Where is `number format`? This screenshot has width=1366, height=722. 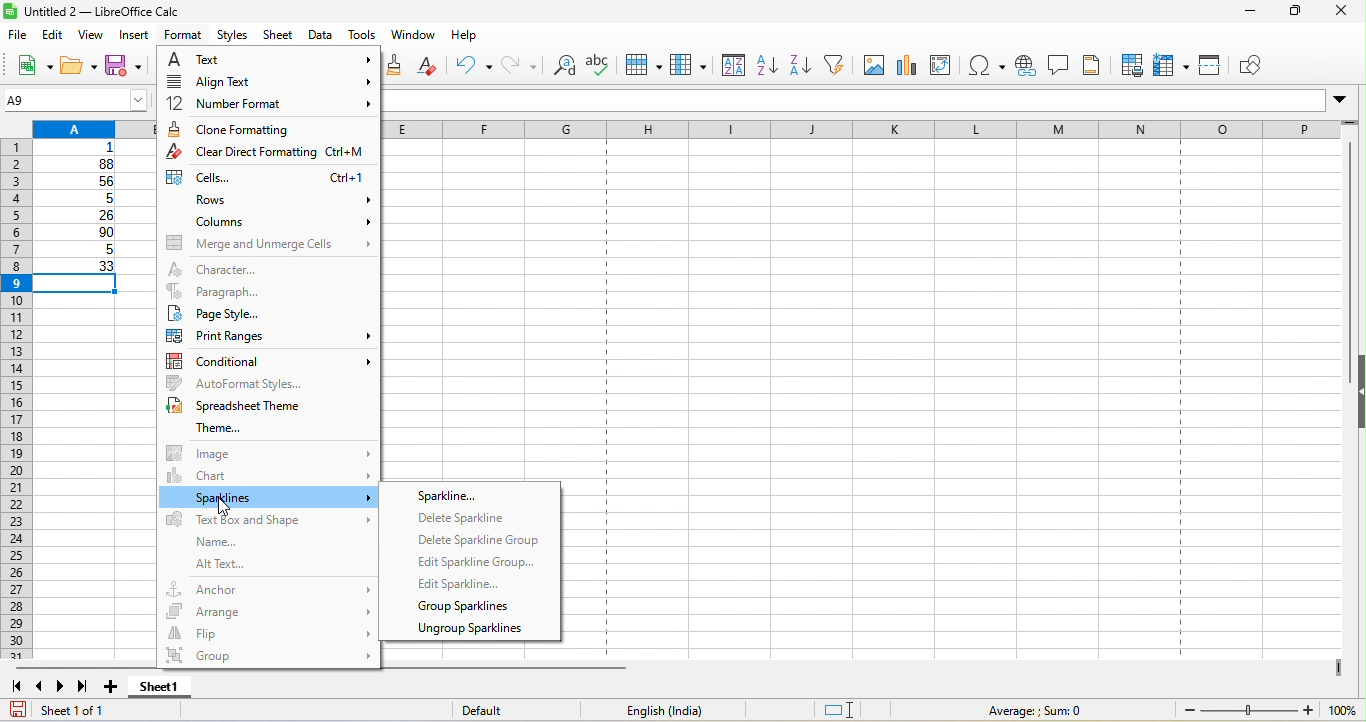 number format is located at coordinates (266, 105).